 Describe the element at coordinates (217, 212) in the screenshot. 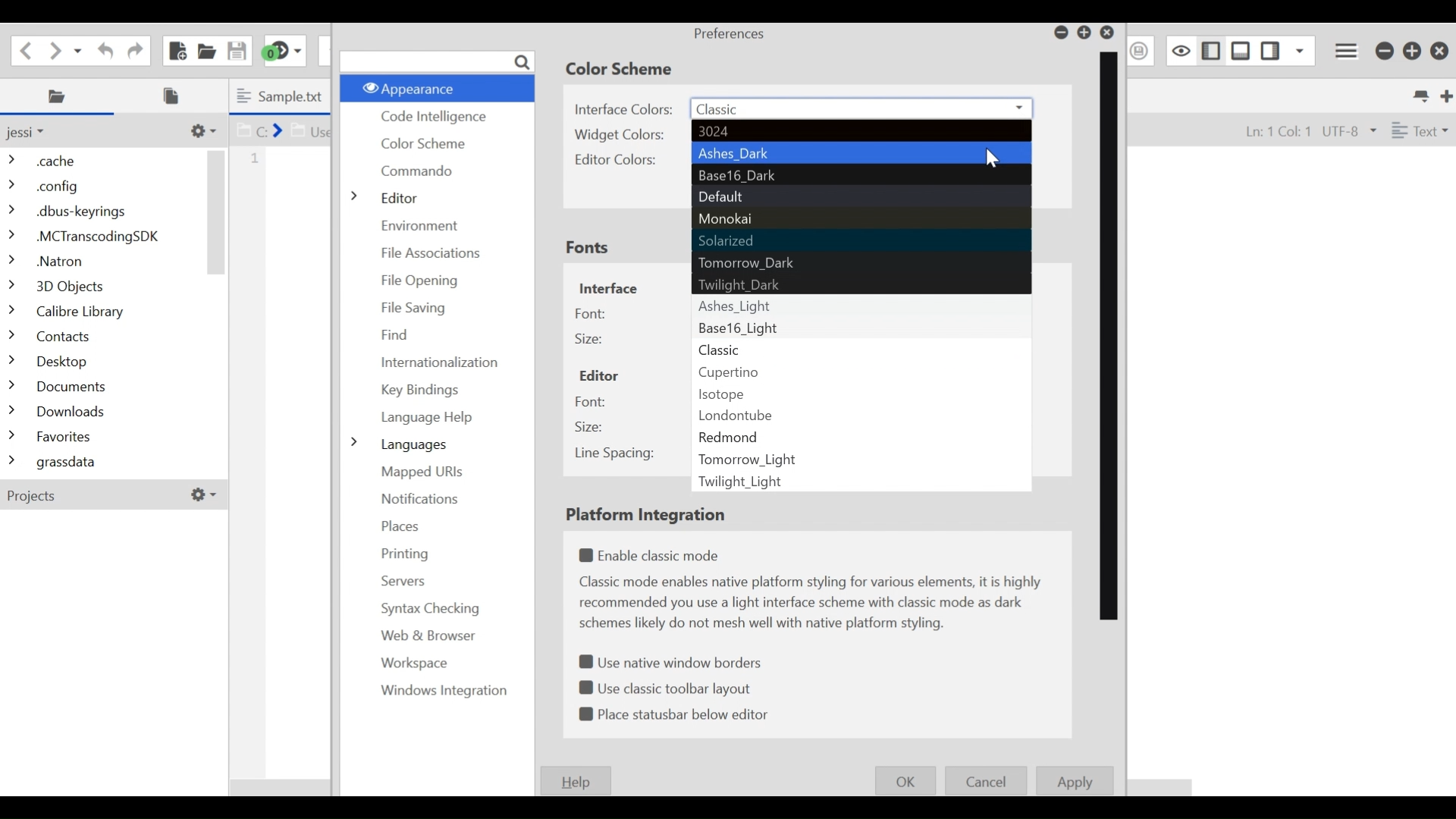

I see `Vertical Scroll bar` at that location.